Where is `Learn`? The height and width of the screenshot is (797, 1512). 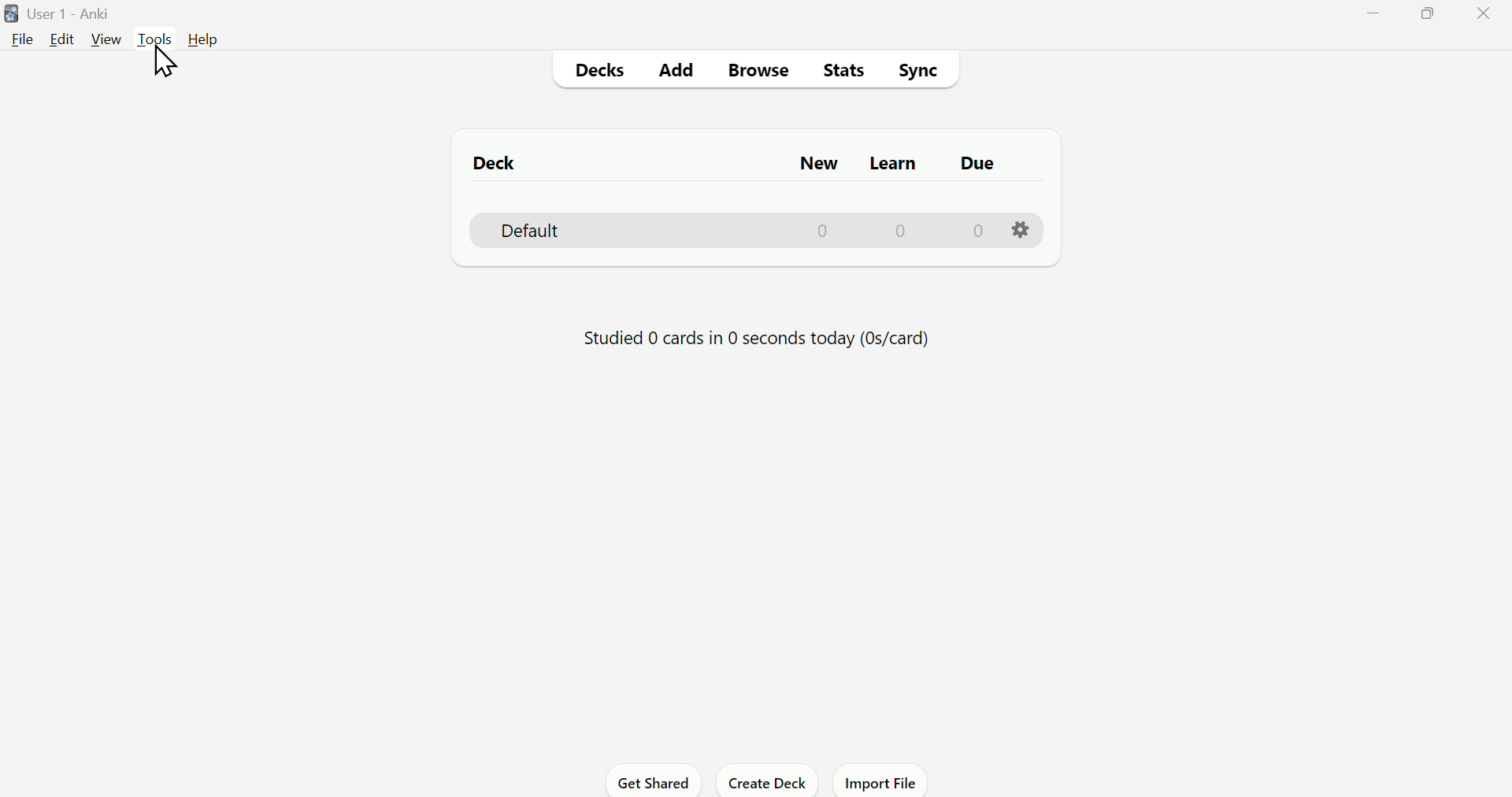
Learn is located at coordinates (891, 165).